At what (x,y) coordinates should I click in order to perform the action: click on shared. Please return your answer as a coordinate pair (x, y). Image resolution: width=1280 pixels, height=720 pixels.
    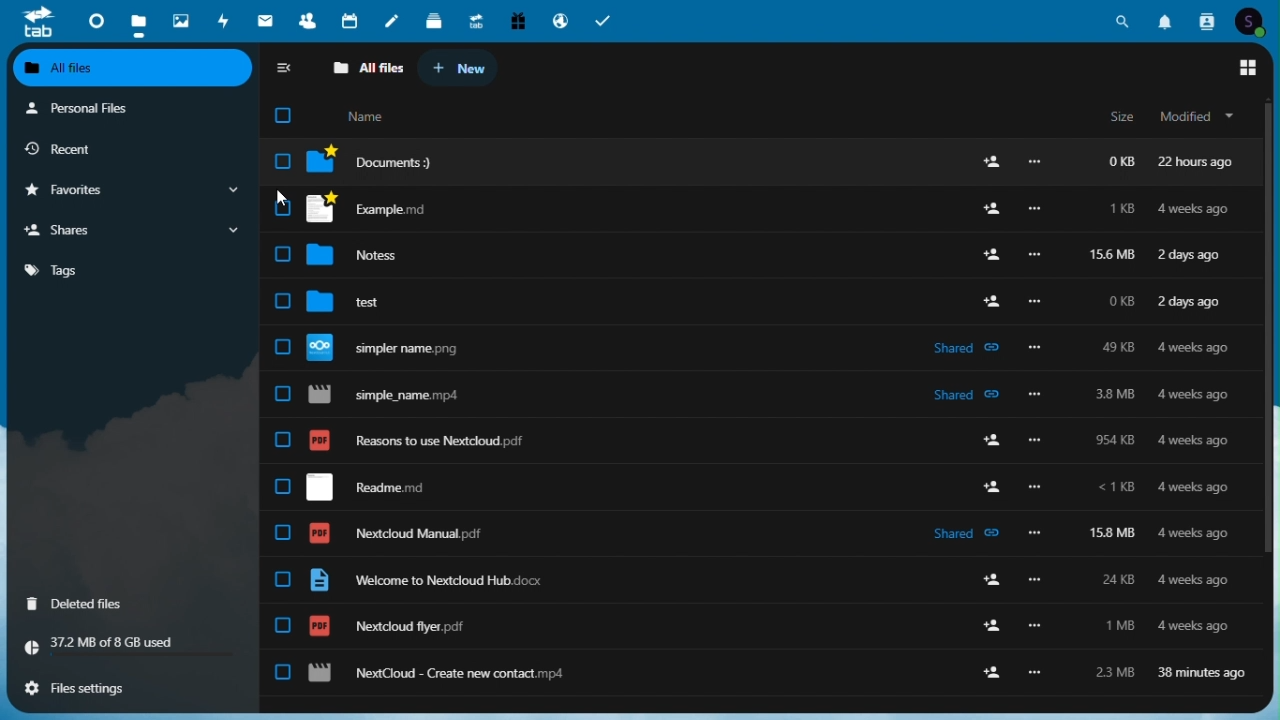
    Looking at the image, I should click on (968, 393).